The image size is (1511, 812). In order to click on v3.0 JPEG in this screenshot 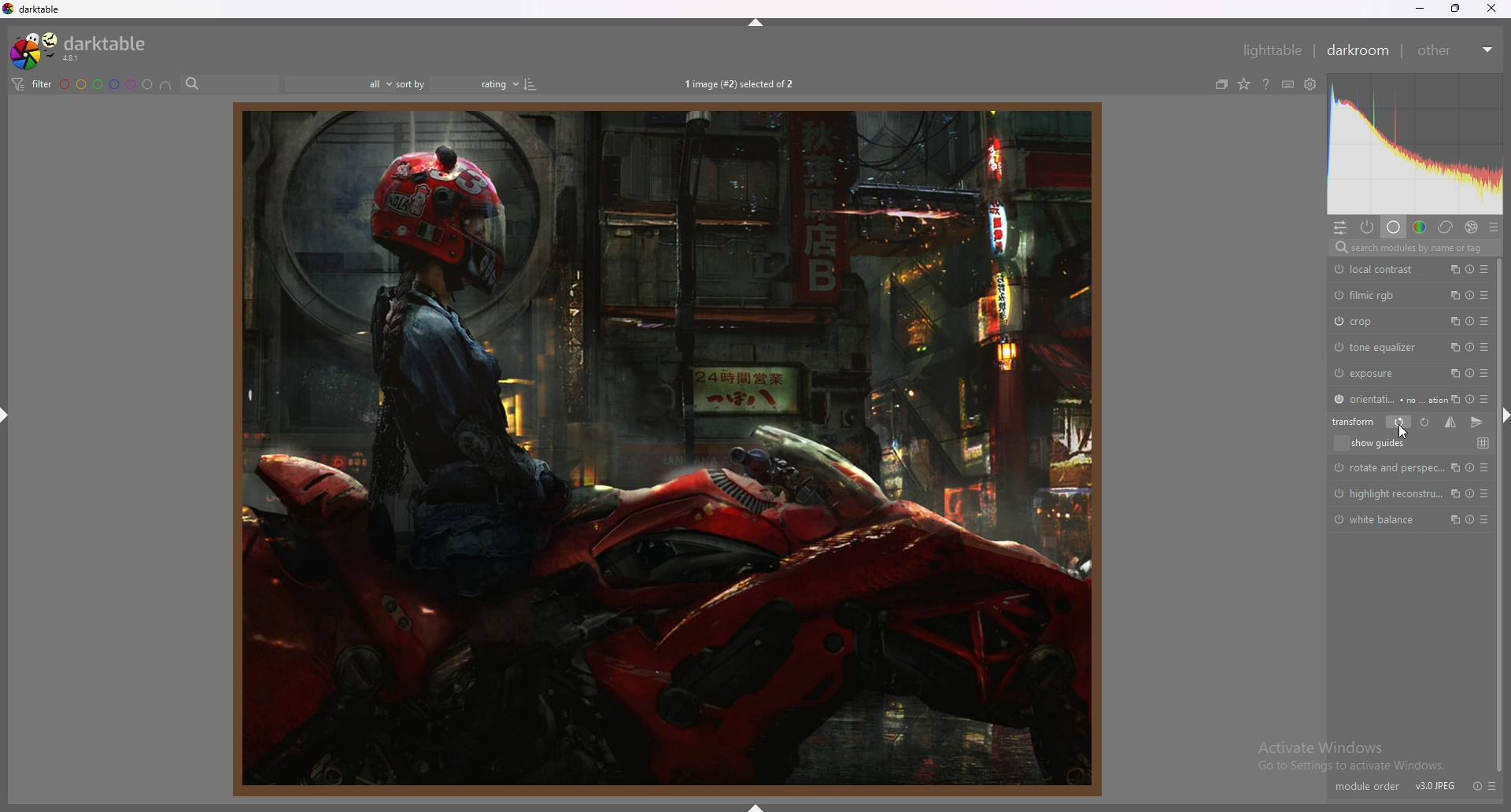, I will do `click(1434, 787)`.